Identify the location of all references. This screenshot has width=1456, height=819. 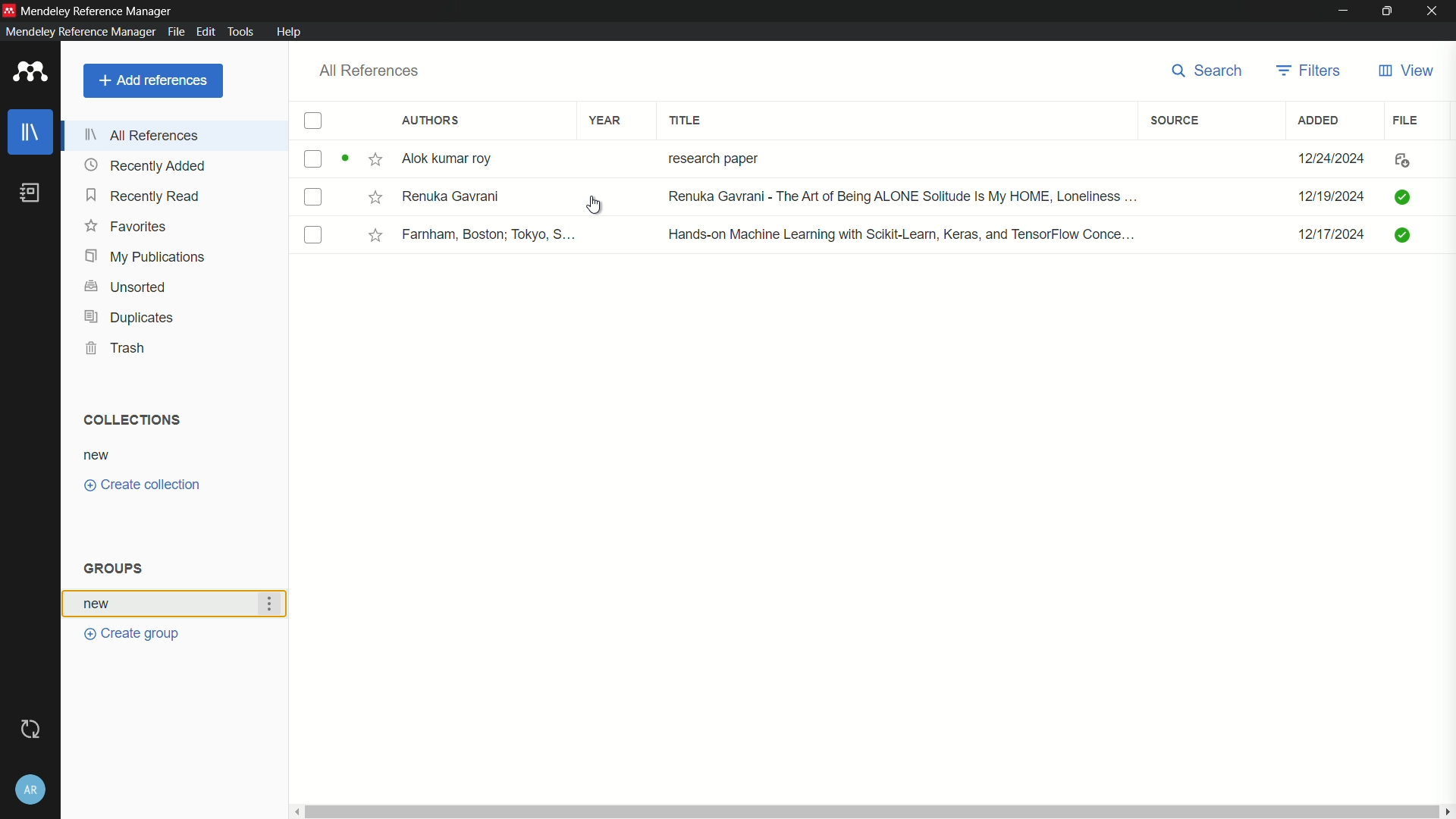
(146, 134).